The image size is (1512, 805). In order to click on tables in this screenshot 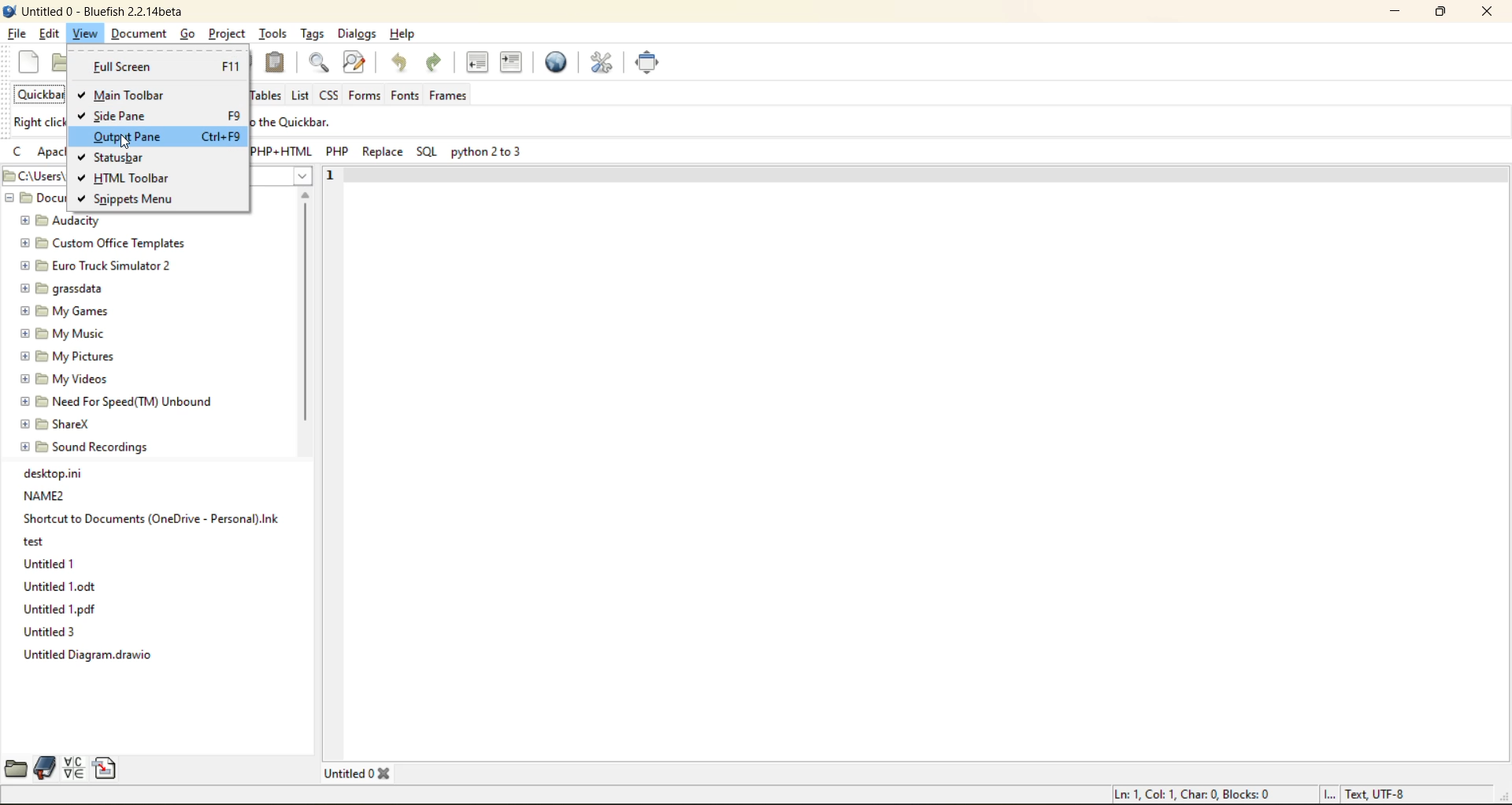, I will do `click(265, 95)`.